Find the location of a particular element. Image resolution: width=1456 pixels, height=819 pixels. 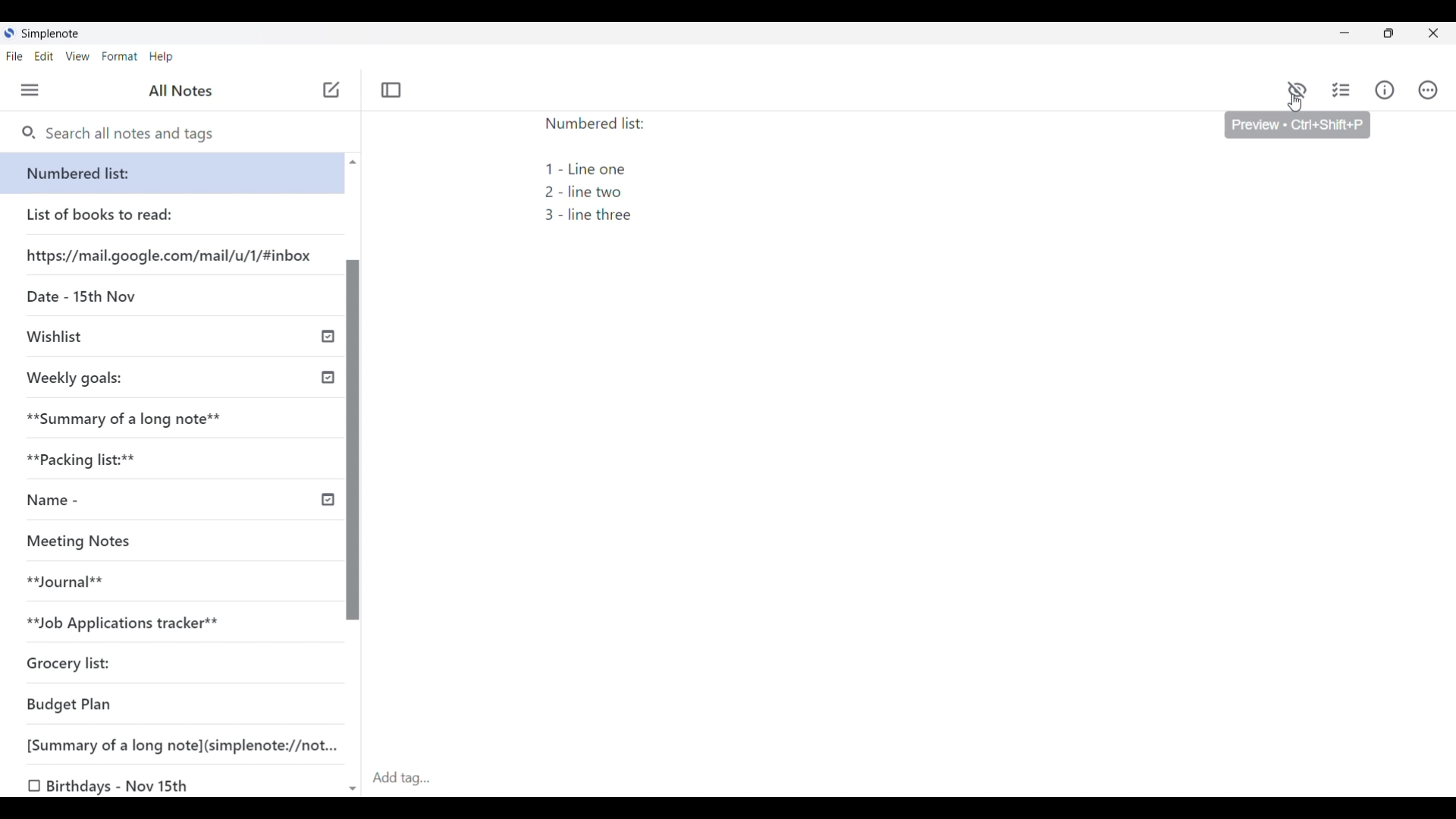

**Journal** is located at coordinates (76, 583).